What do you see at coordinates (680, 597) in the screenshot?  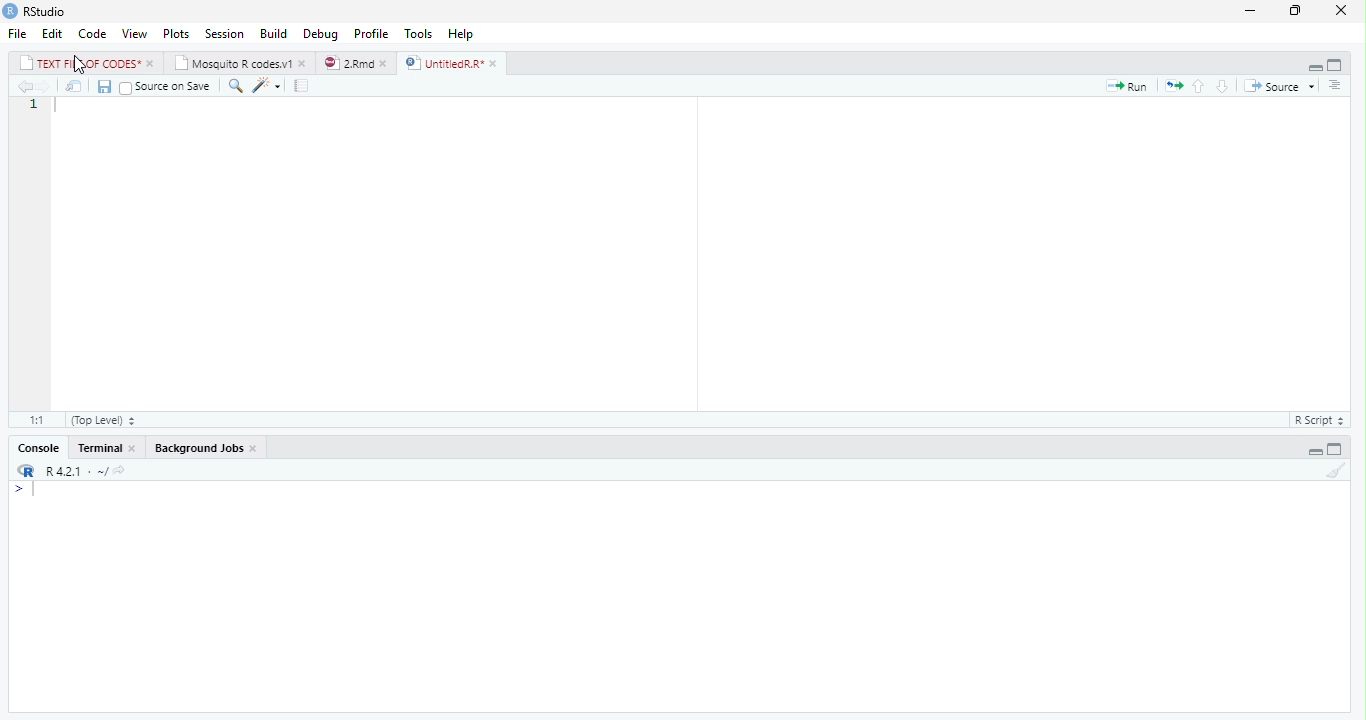 I see `Console` at bounding box center [680, 597].